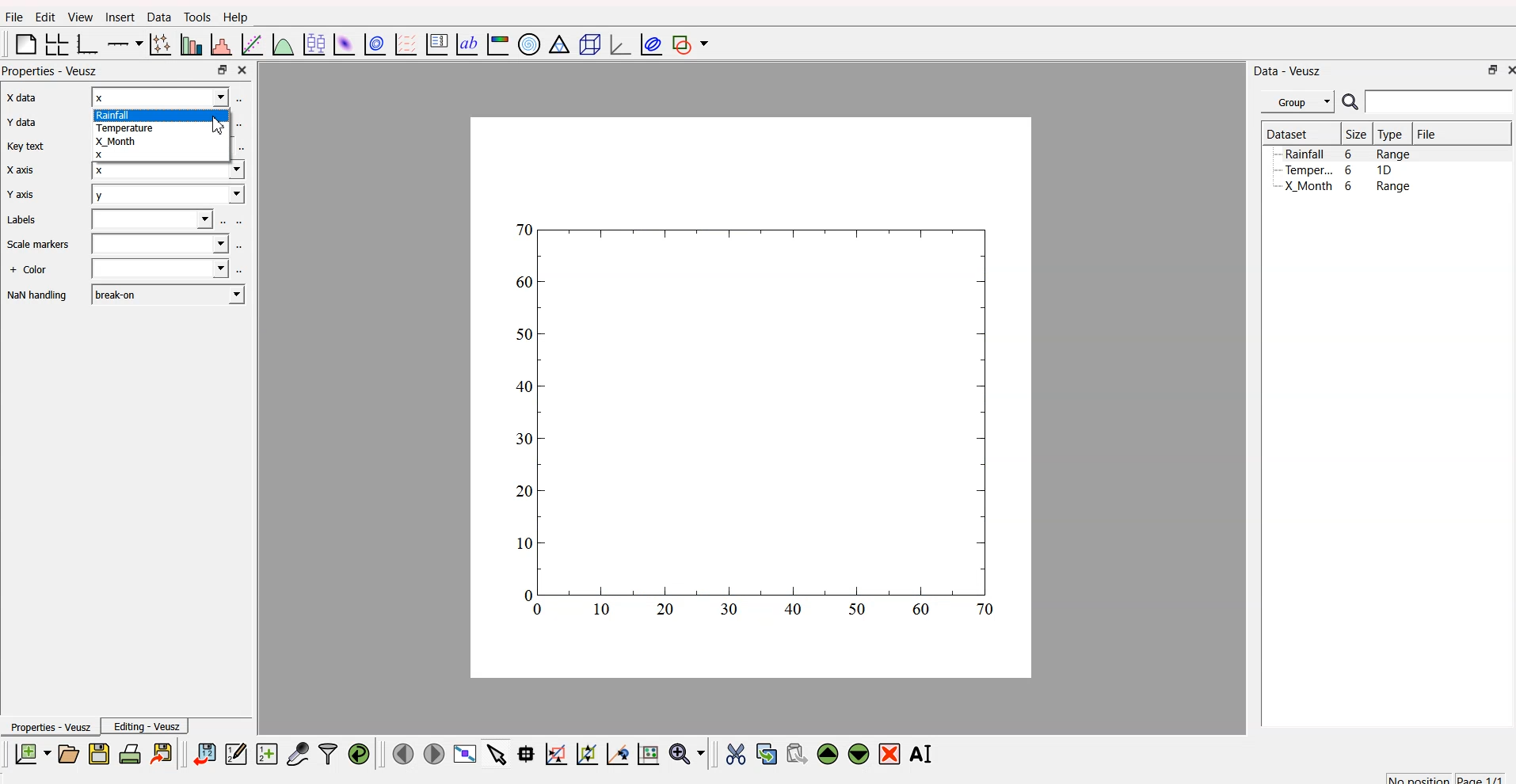 The width and height of the screenshot is (1516, 784). I want to click on Properties - Veusz, so click(49, 726).